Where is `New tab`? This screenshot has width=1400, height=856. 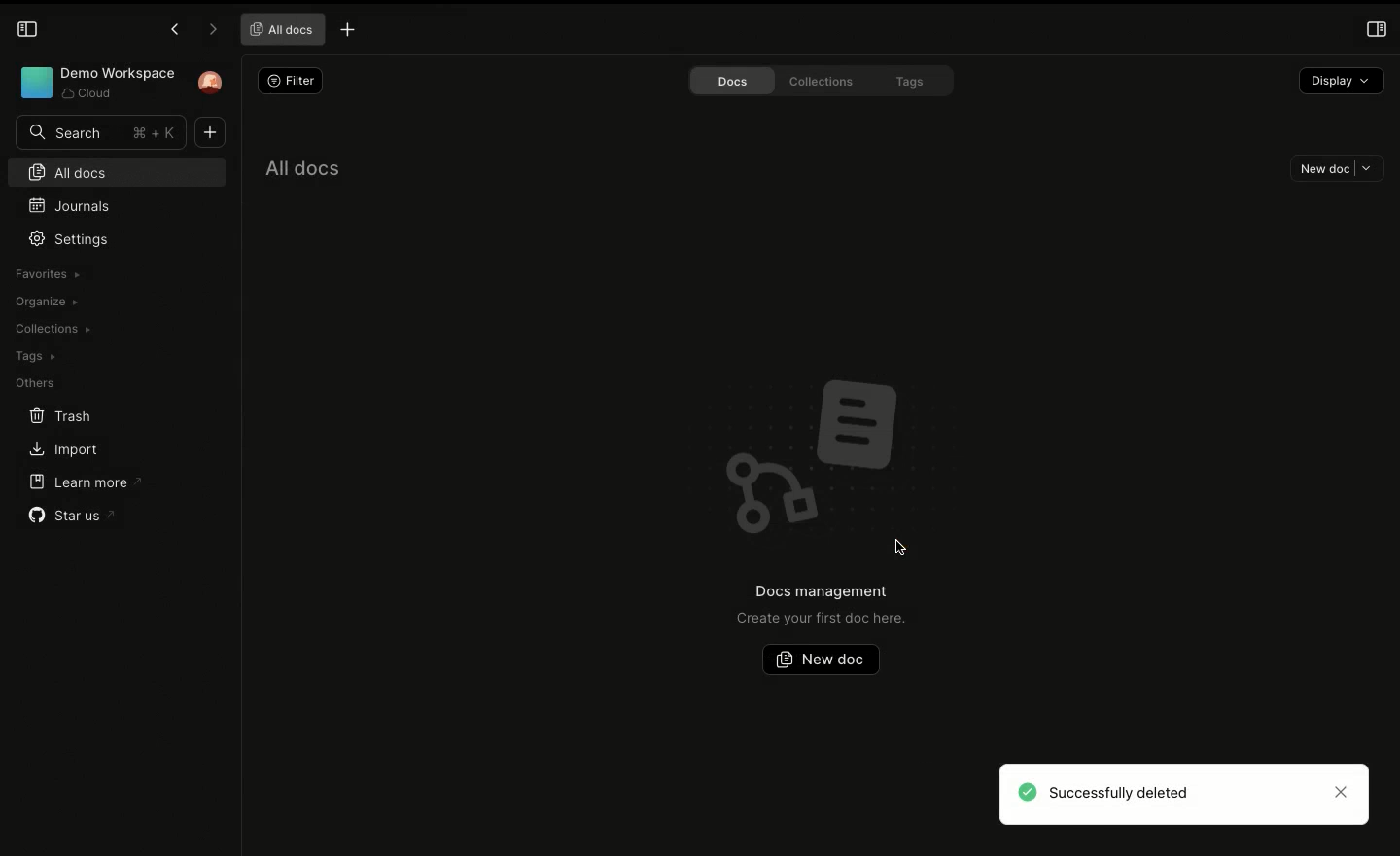
New tab is located at coordinates (348, 29).